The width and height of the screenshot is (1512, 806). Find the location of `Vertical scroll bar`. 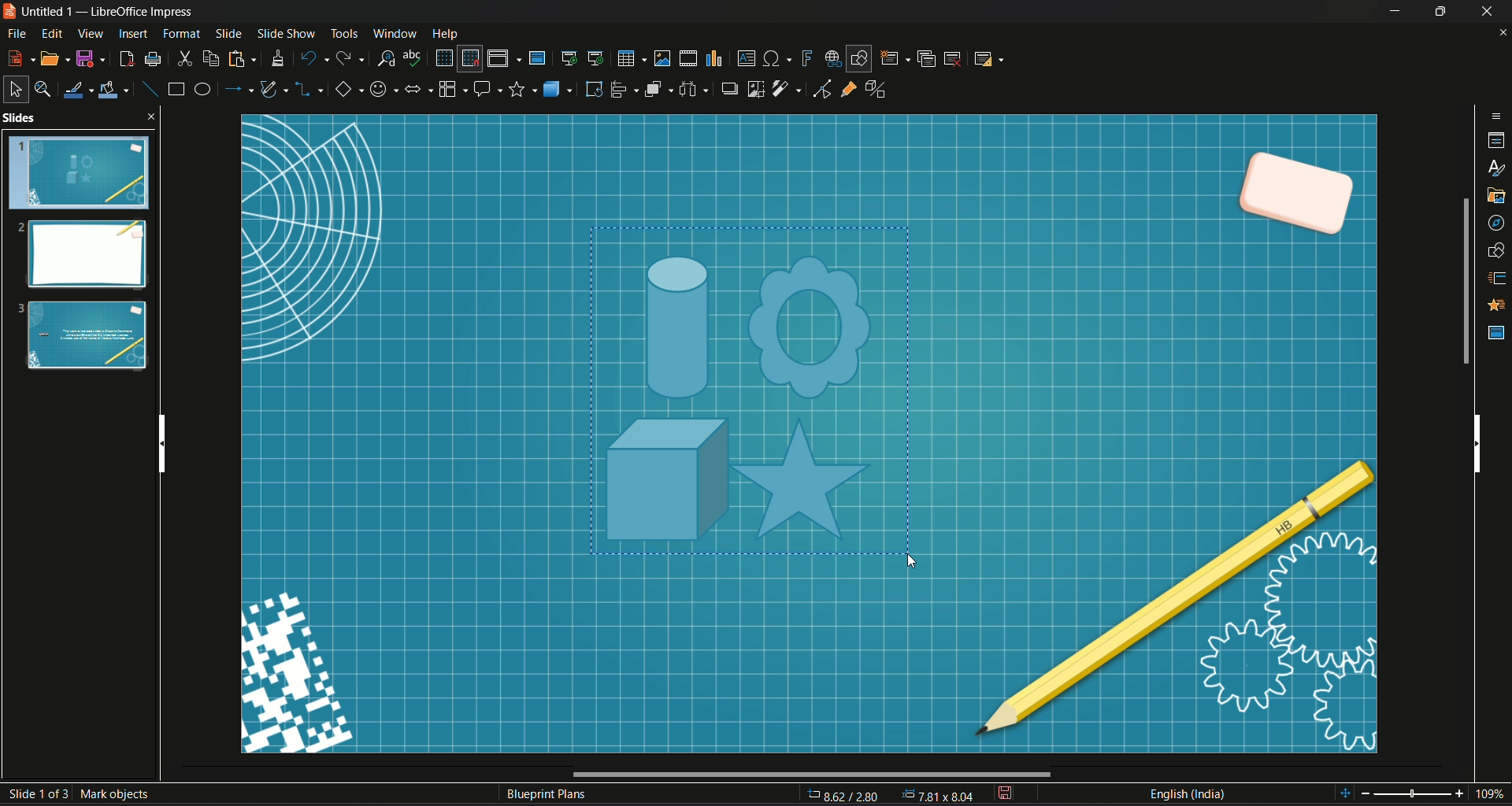

Vertical scroll bar is located at coordinates (1477, 441).